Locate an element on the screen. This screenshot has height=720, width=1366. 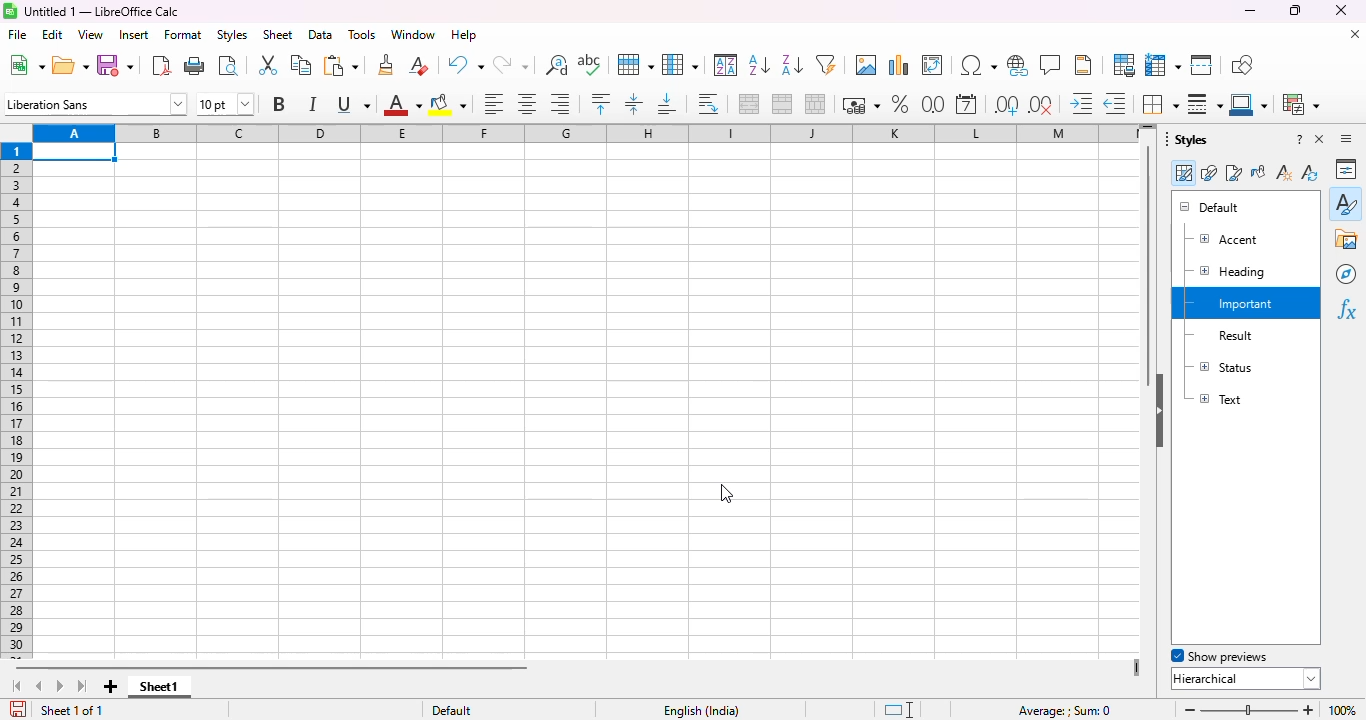
border style is located at coordinates (1205, 104).